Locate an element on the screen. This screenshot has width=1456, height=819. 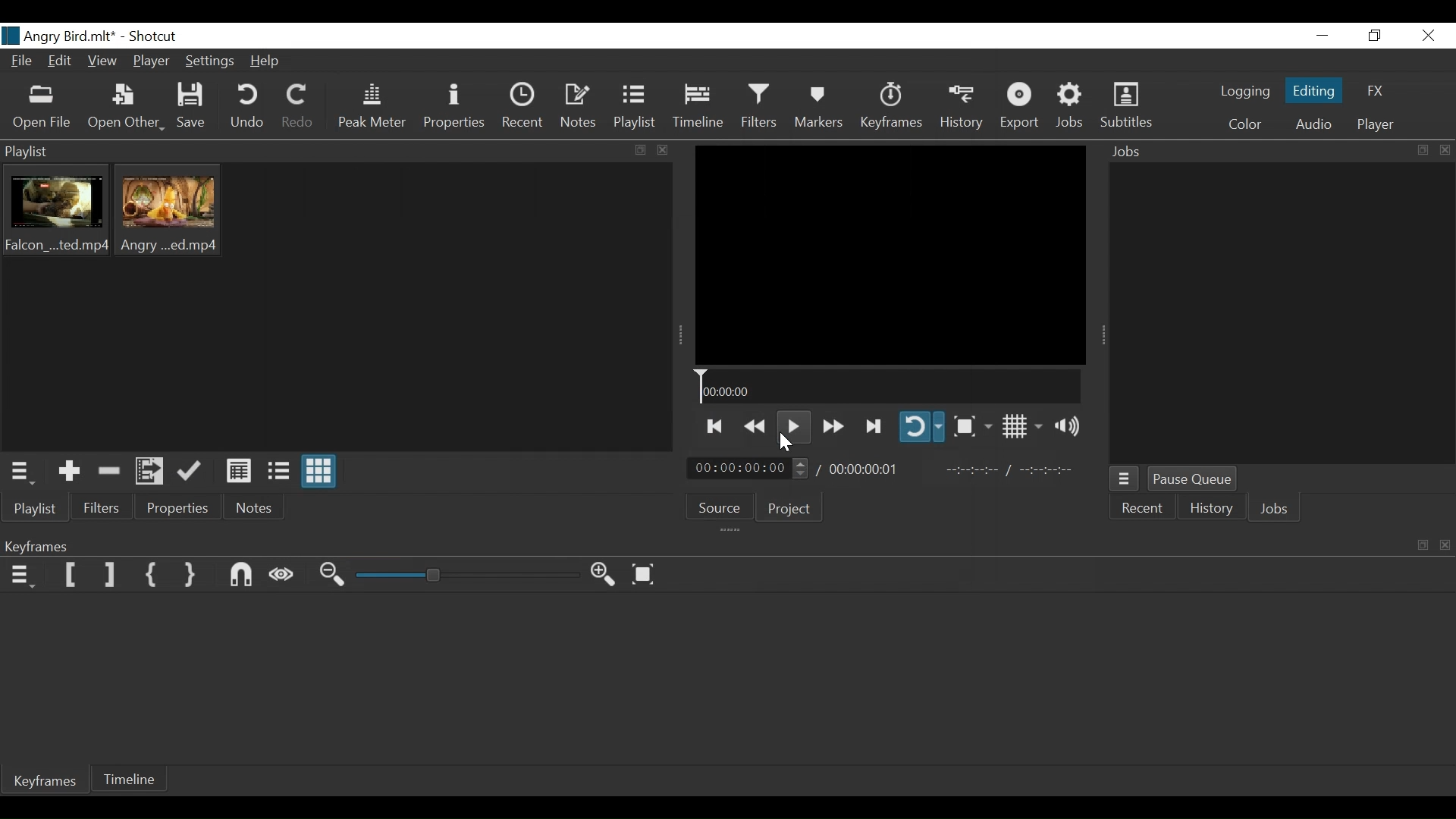
History is located at coordinates (964, 107).